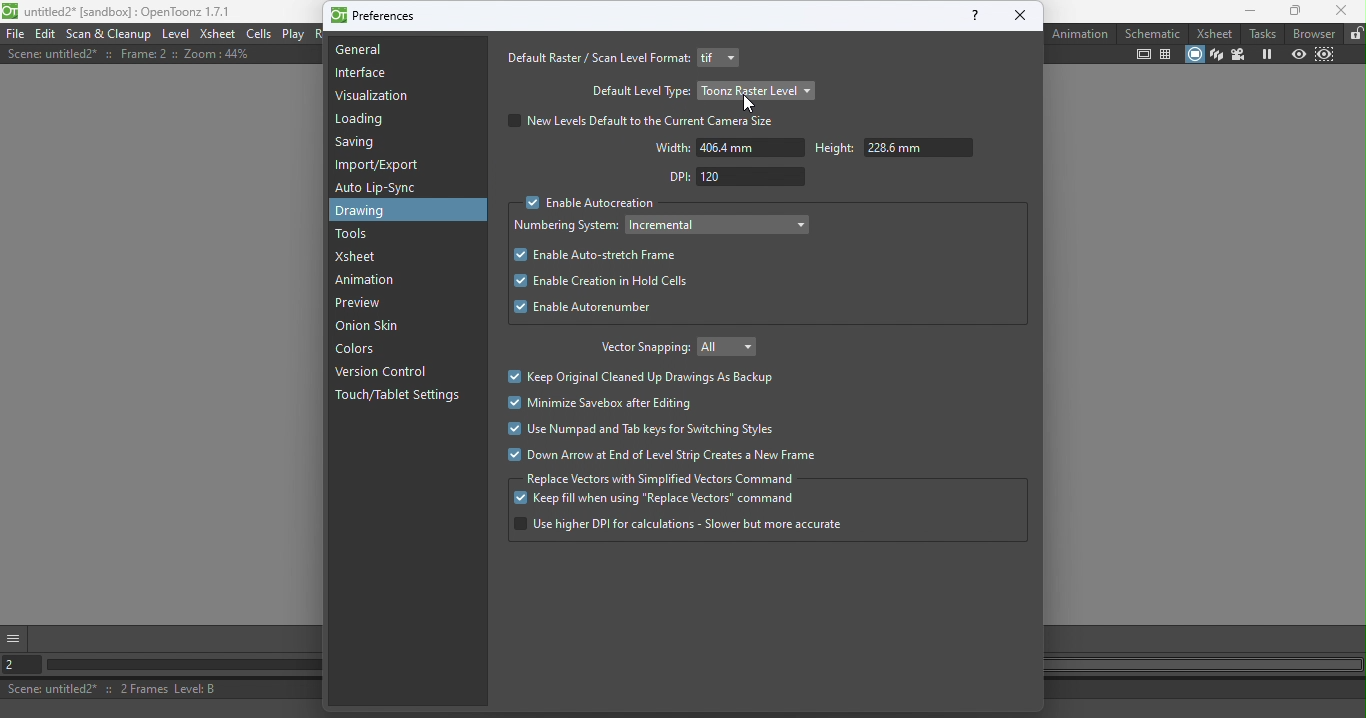  I want to click on Interface, so click(360, 73).